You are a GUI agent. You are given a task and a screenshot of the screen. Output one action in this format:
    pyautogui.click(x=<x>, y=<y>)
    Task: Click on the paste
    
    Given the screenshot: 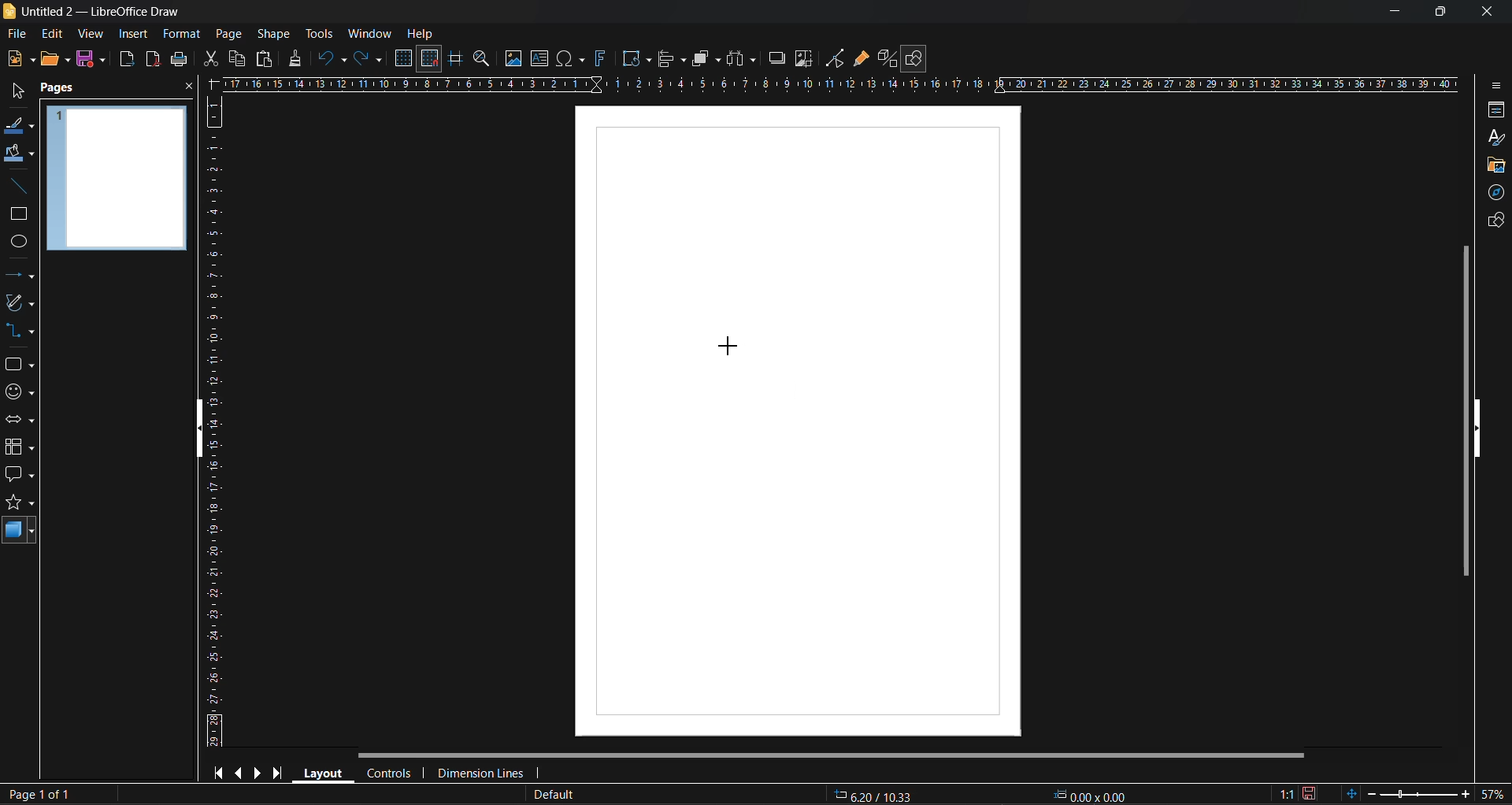 What is the action you would take?
    pyautogui.click(x=262, y=61)
    